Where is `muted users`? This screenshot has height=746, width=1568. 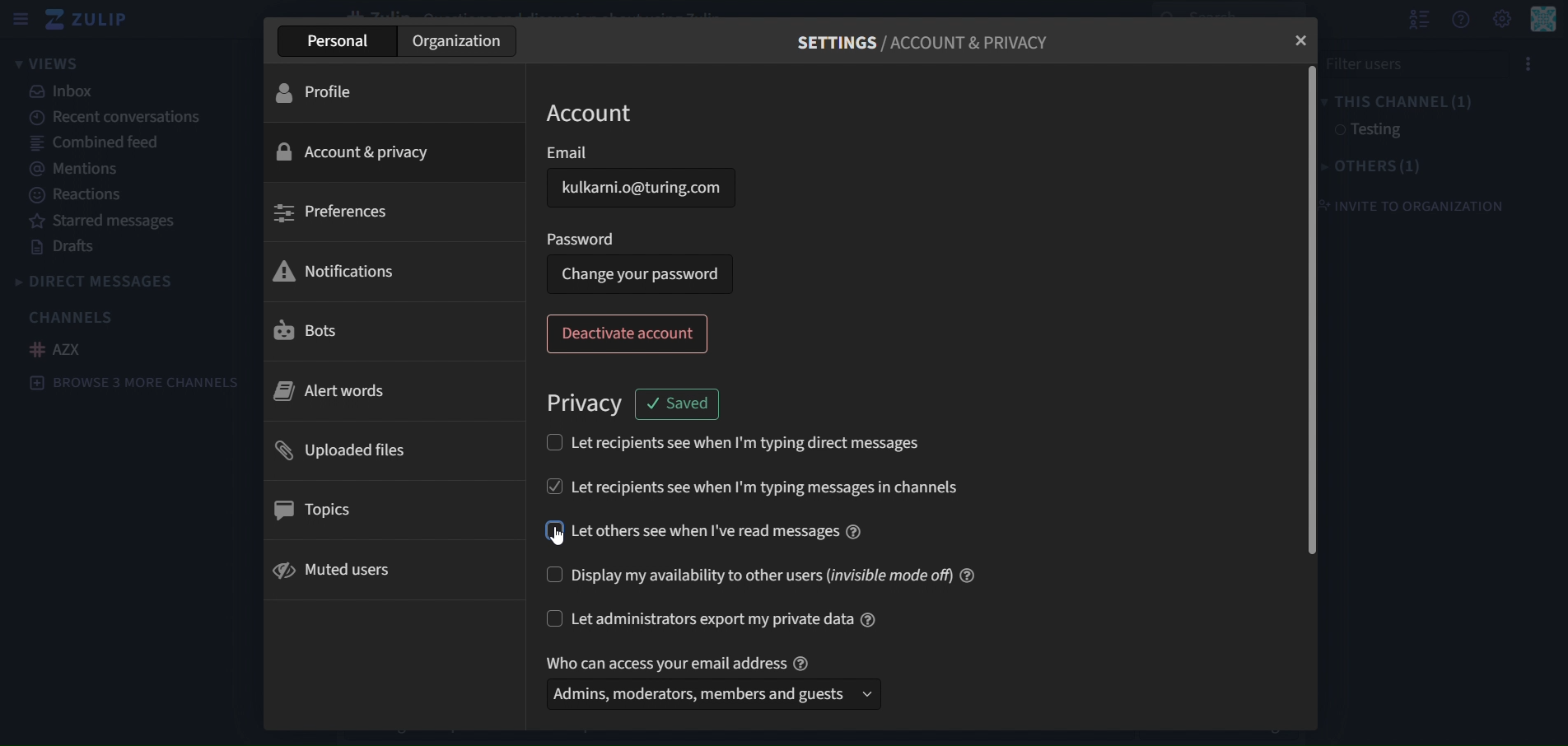 muted users is located at coordinates (335, 569).